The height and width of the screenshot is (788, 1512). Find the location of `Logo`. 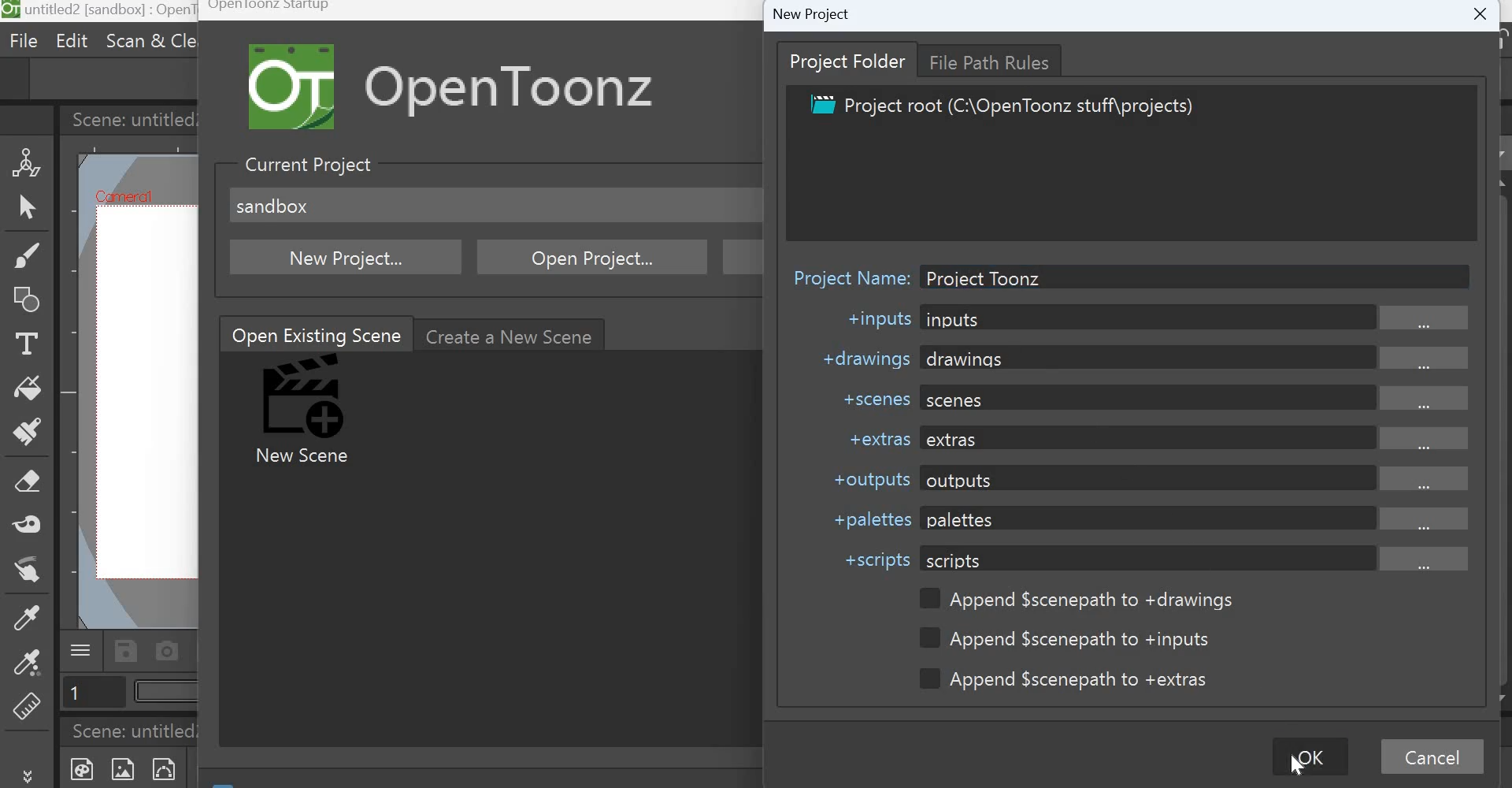

Logo is located at coordinates (296, 87).